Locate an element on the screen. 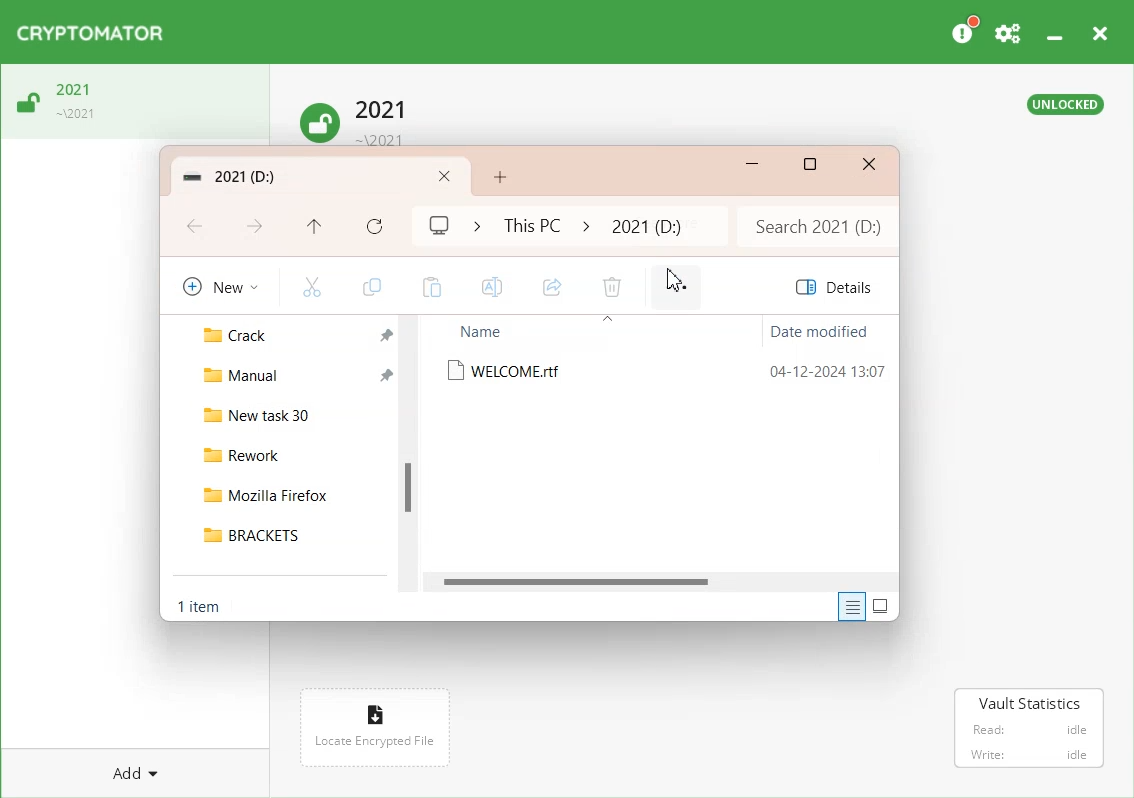 This screenshot has width=1134, height=798. Mozilla Firefox is located at coordinates (280, 495).